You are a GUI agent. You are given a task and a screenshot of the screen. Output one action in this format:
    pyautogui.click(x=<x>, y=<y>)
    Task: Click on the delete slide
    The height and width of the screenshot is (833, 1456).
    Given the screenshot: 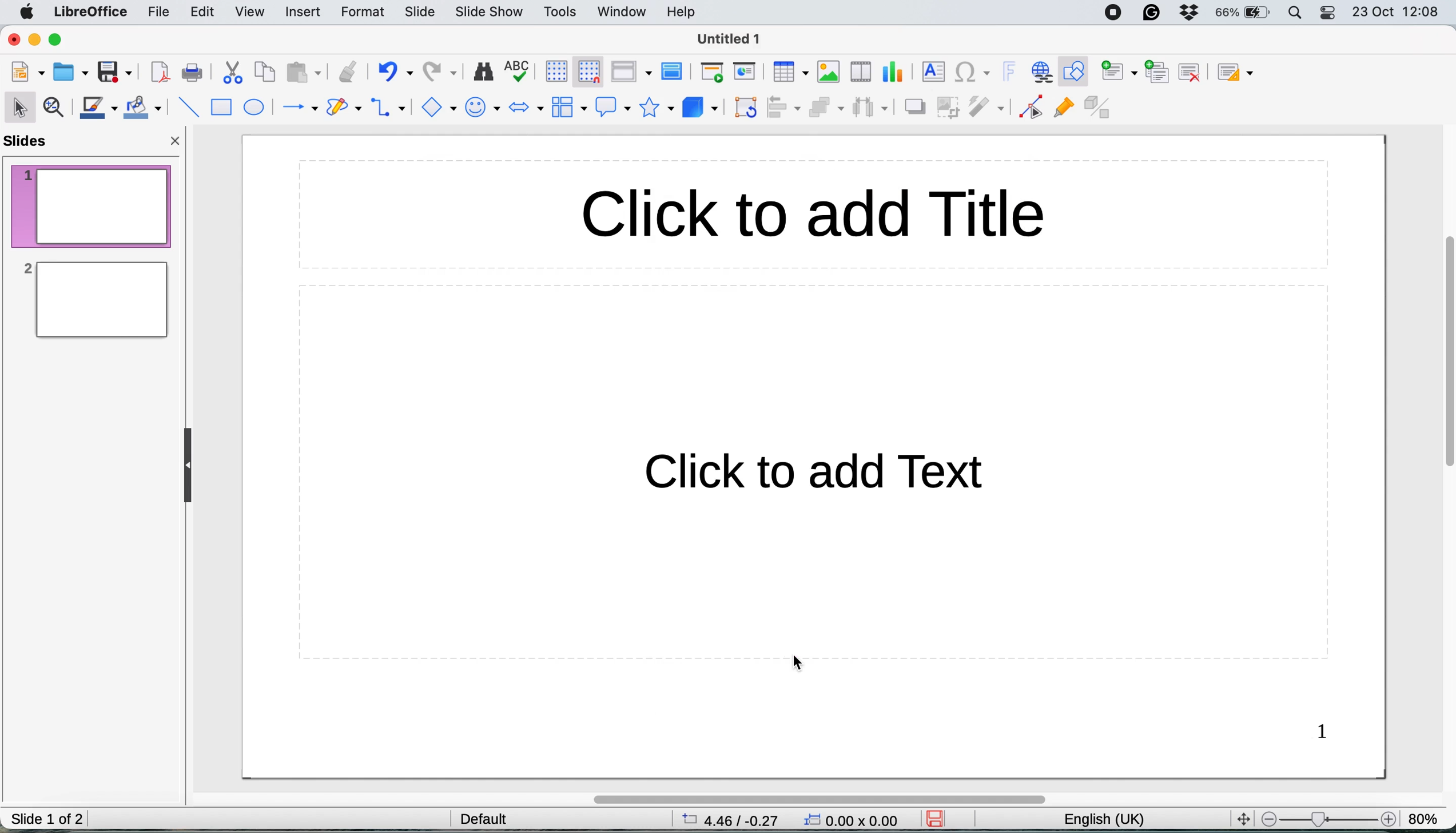 What is the action you would take?
    pyautogui.click(x=1190, y=72)
    